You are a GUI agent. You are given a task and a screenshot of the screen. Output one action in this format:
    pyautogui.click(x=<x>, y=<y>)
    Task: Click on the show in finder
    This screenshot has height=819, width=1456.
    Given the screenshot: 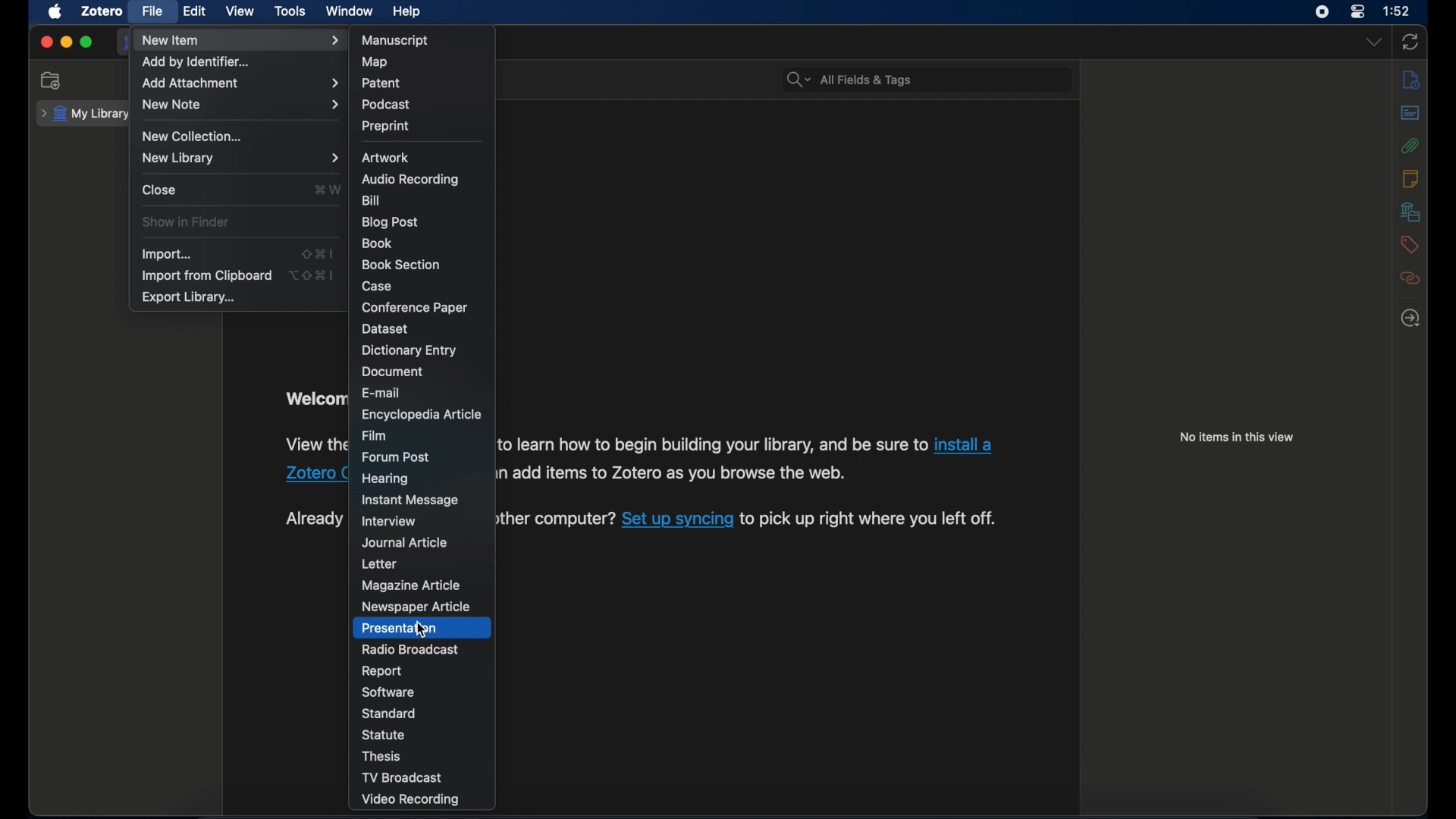 What is the action you would take?
    pyautogui.click(x=185, y=221)
    